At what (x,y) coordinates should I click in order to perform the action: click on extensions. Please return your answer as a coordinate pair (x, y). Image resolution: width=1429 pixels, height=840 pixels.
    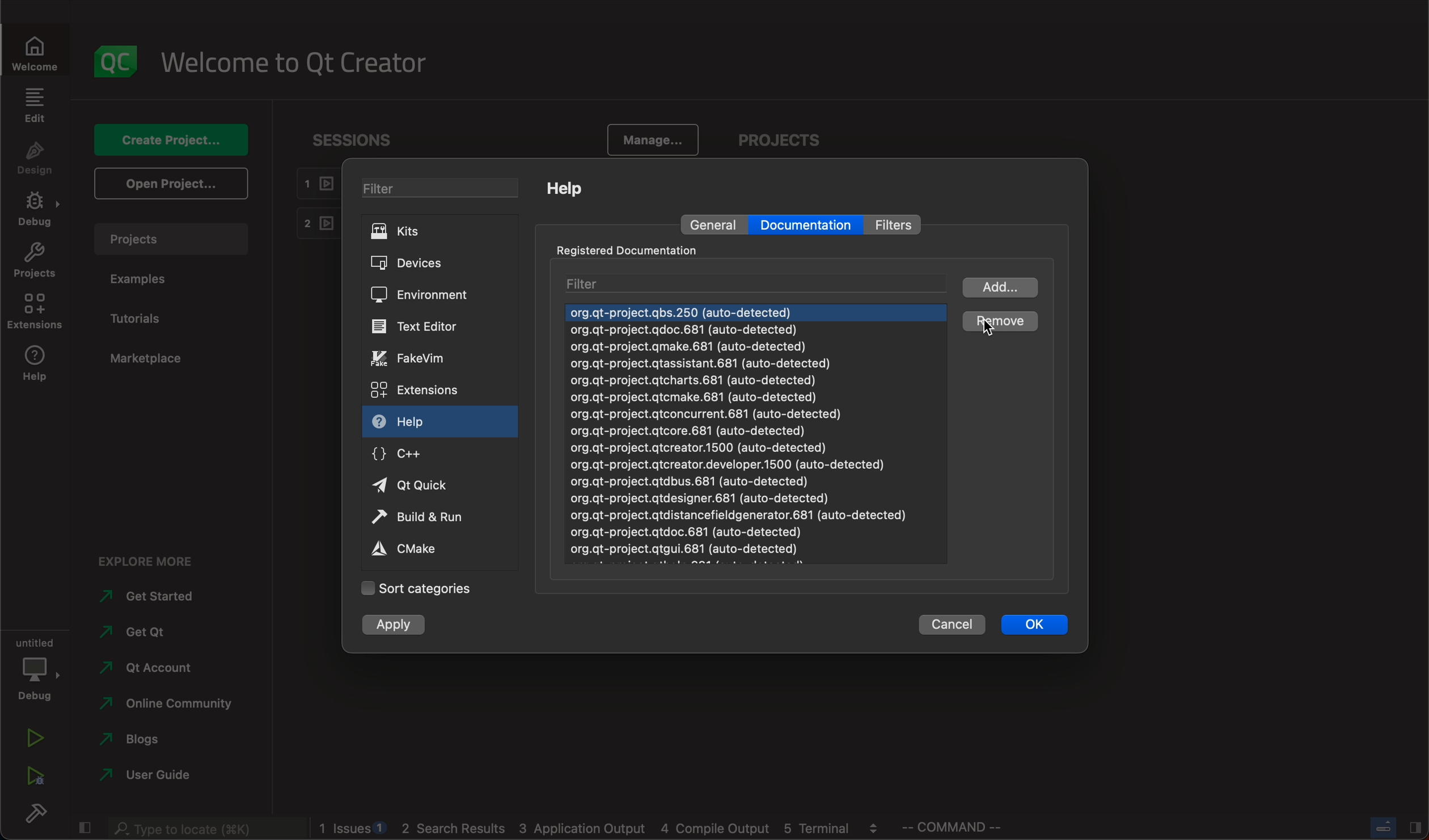
    Looking at the image, I should click on (417, 389).